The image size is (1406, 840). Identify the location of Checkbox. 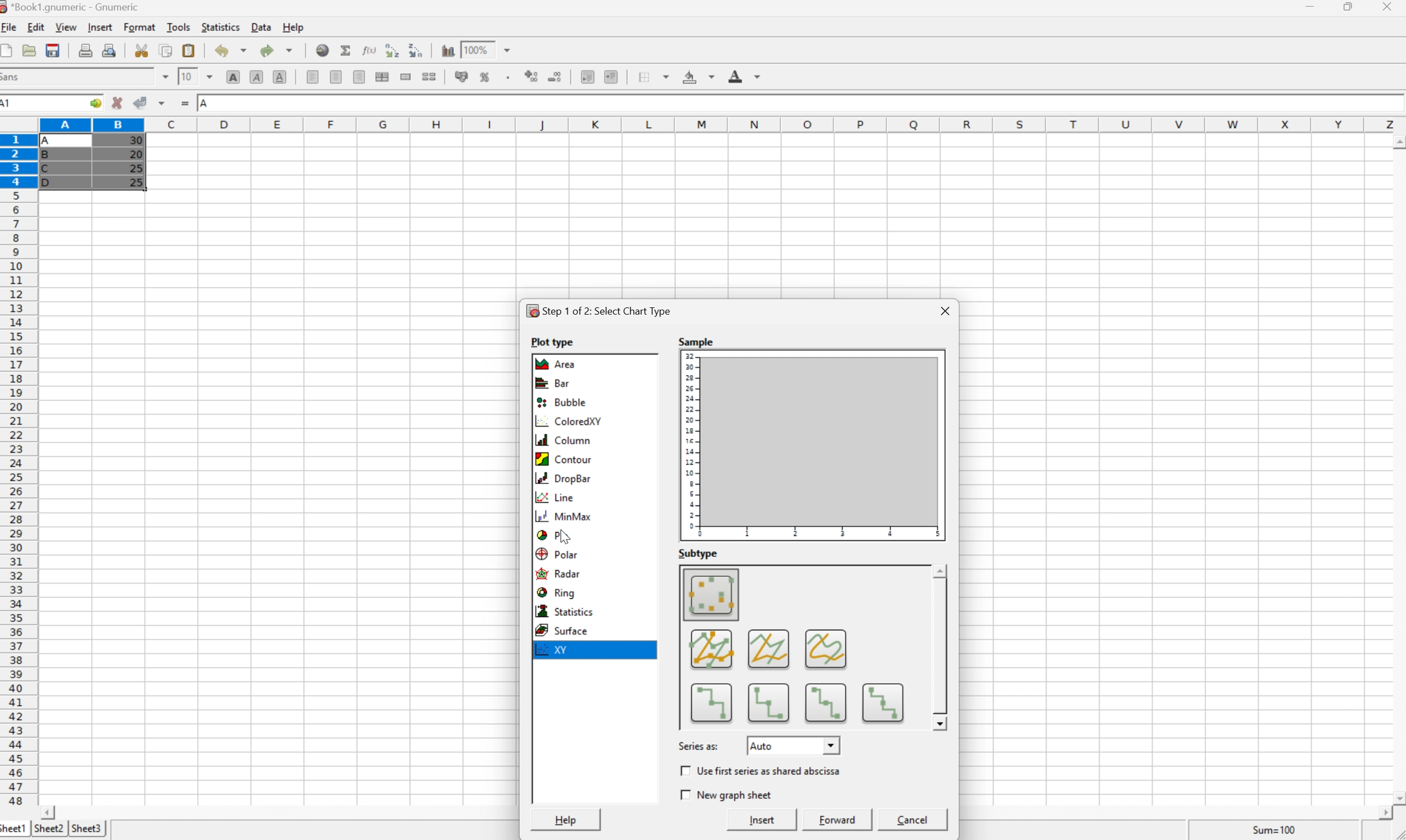
(683, 795).